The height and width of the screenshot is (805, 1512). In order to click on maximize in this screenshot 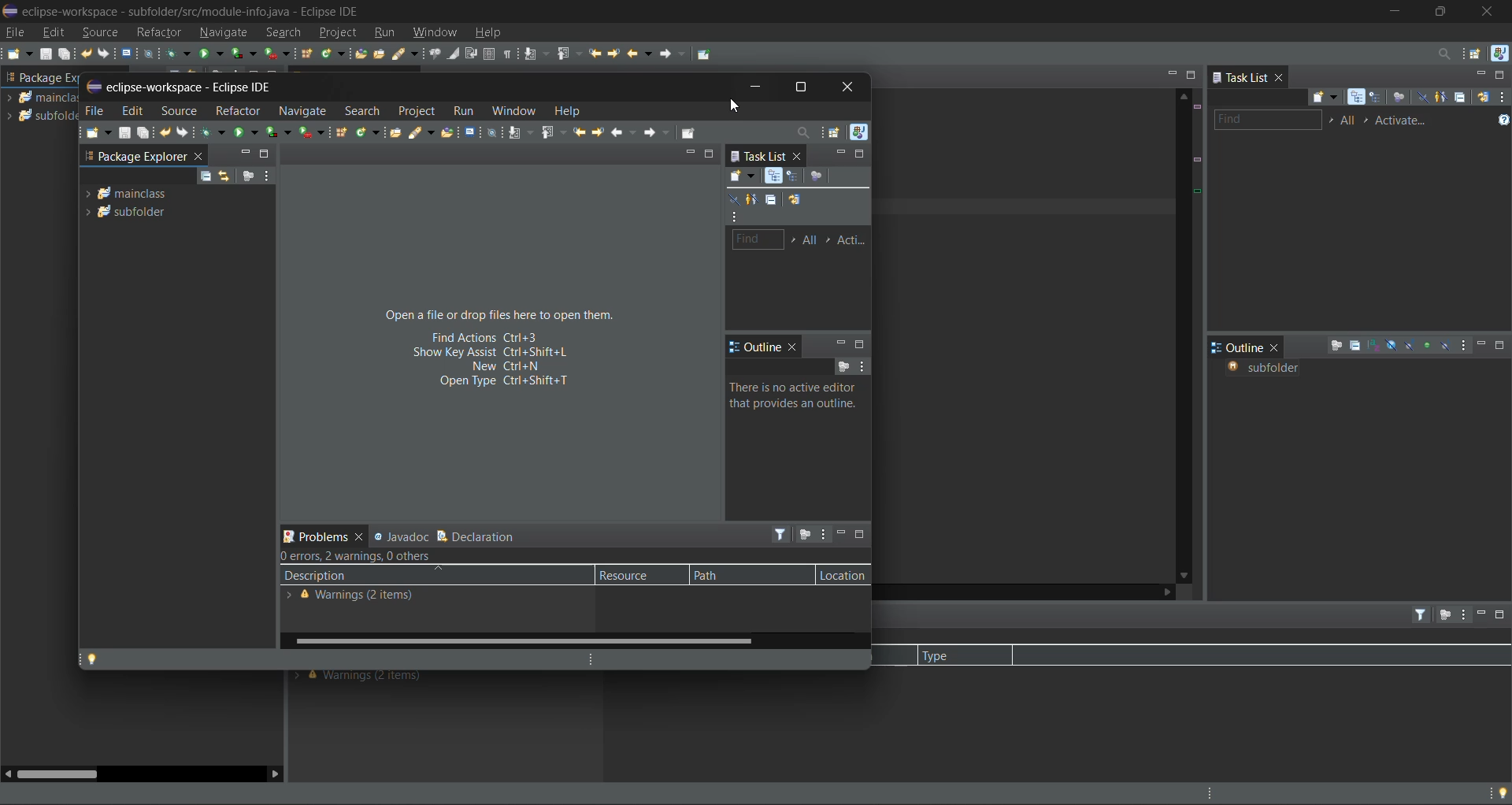, I will do `click(1503, 614)`.